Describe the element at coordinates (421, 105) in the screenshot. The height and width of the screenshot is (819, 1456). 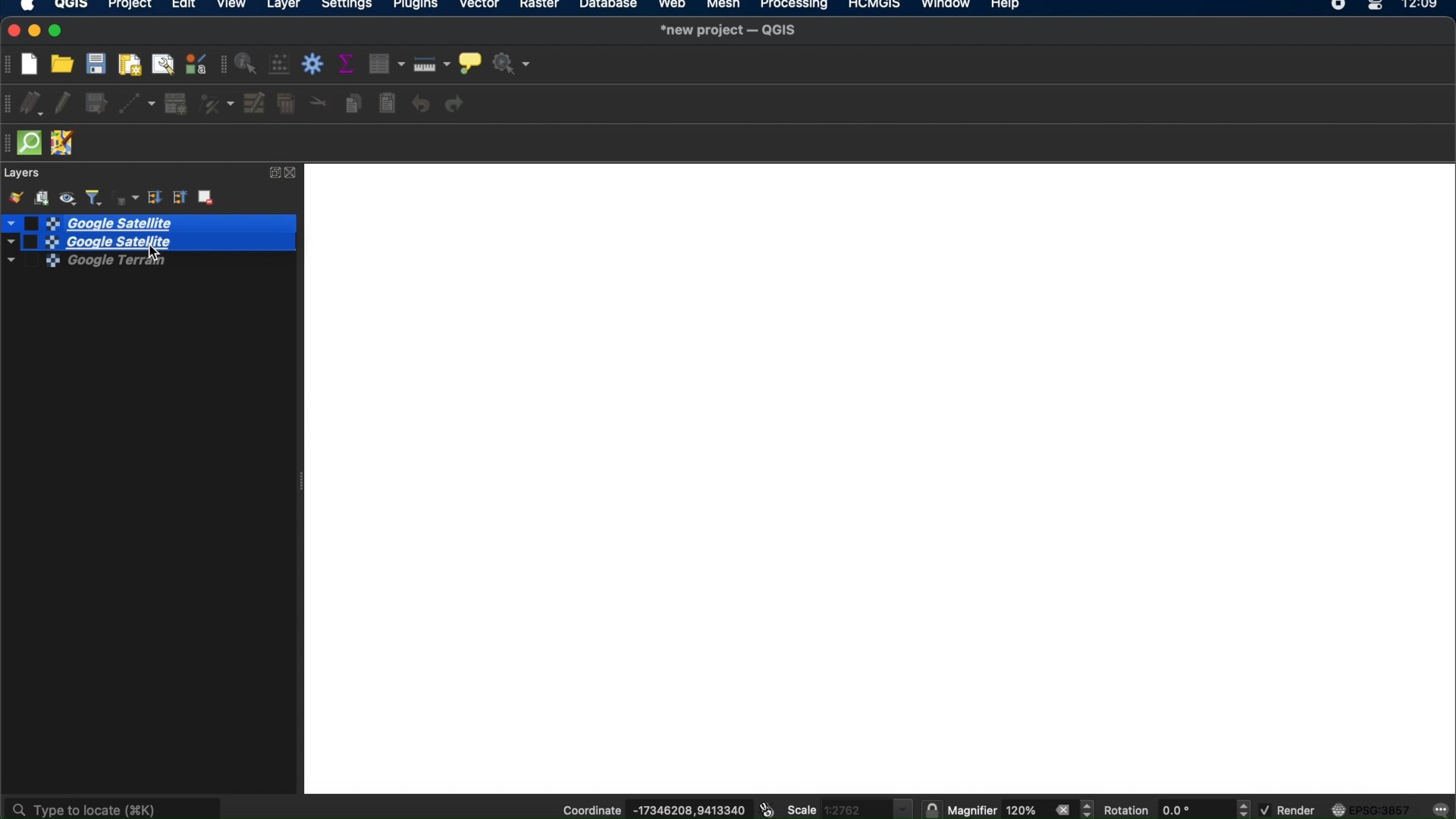
I see `undo` at that location.